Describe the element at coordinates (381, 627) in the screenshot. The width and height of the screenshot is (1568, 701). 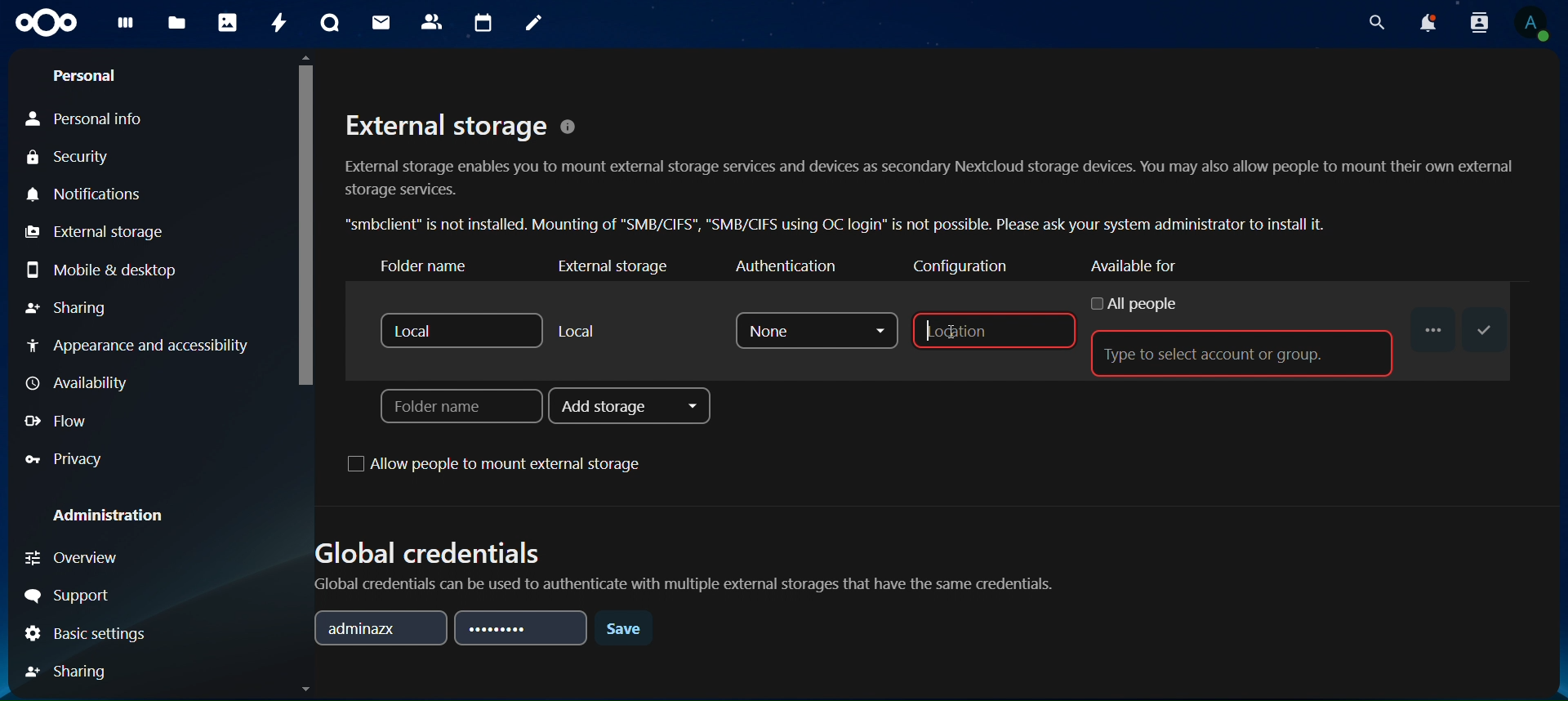
I see `adminazx` at that location.